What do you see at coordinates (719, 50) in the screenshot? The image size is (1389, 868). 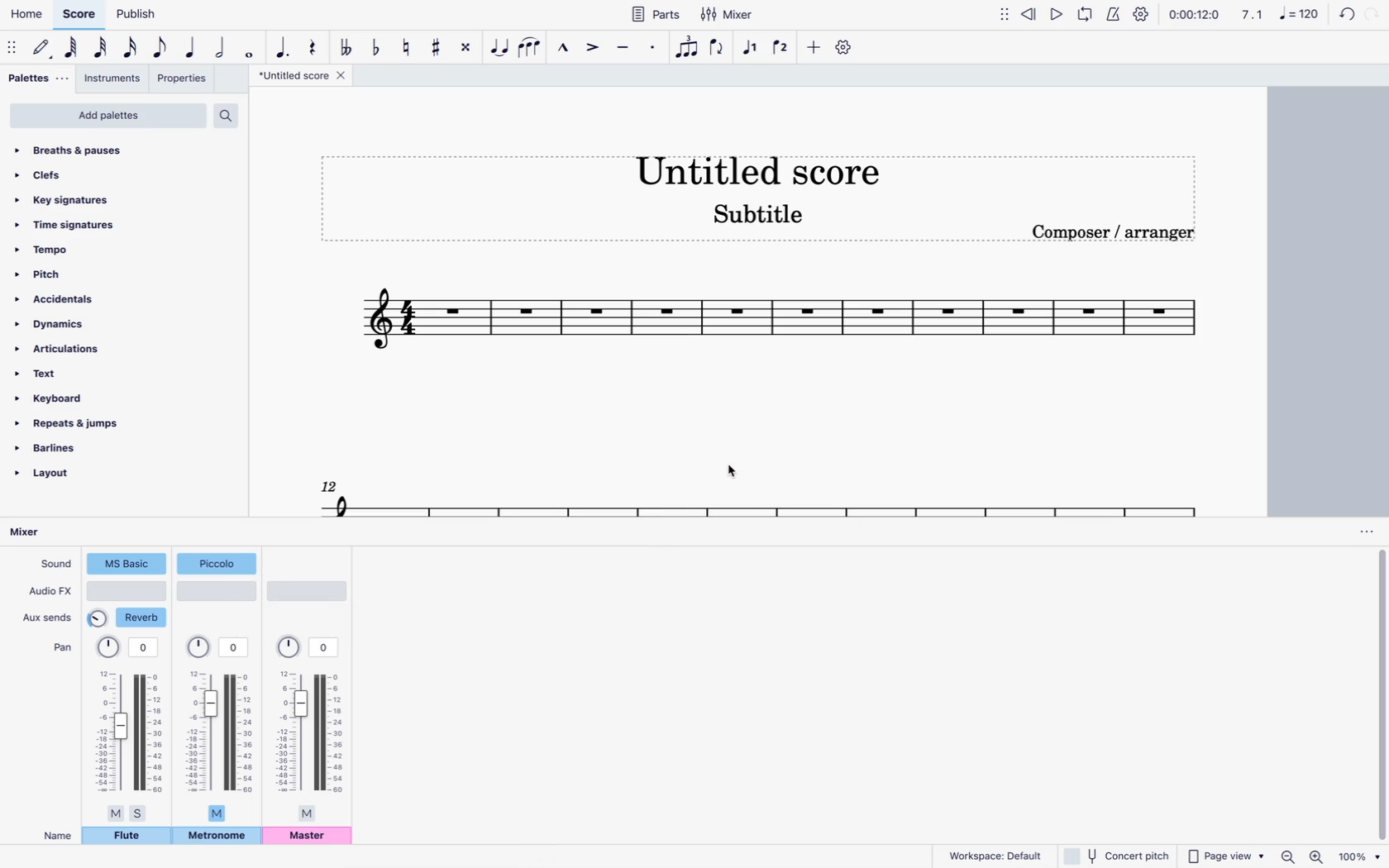 I see `flip direction` at bounding box center [719, 50].